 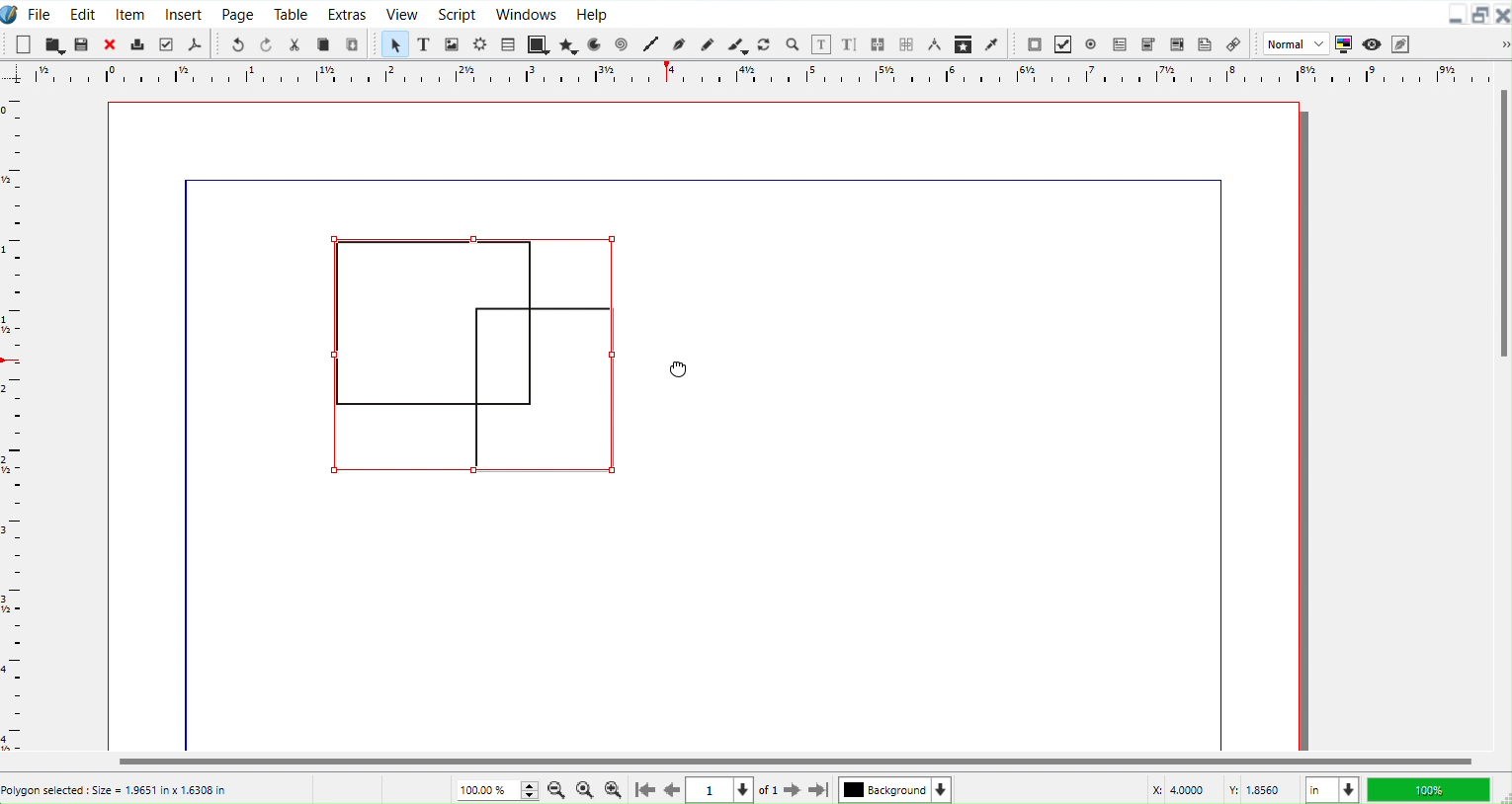 I want to click on Zoom In, so click(x=615, y=790).